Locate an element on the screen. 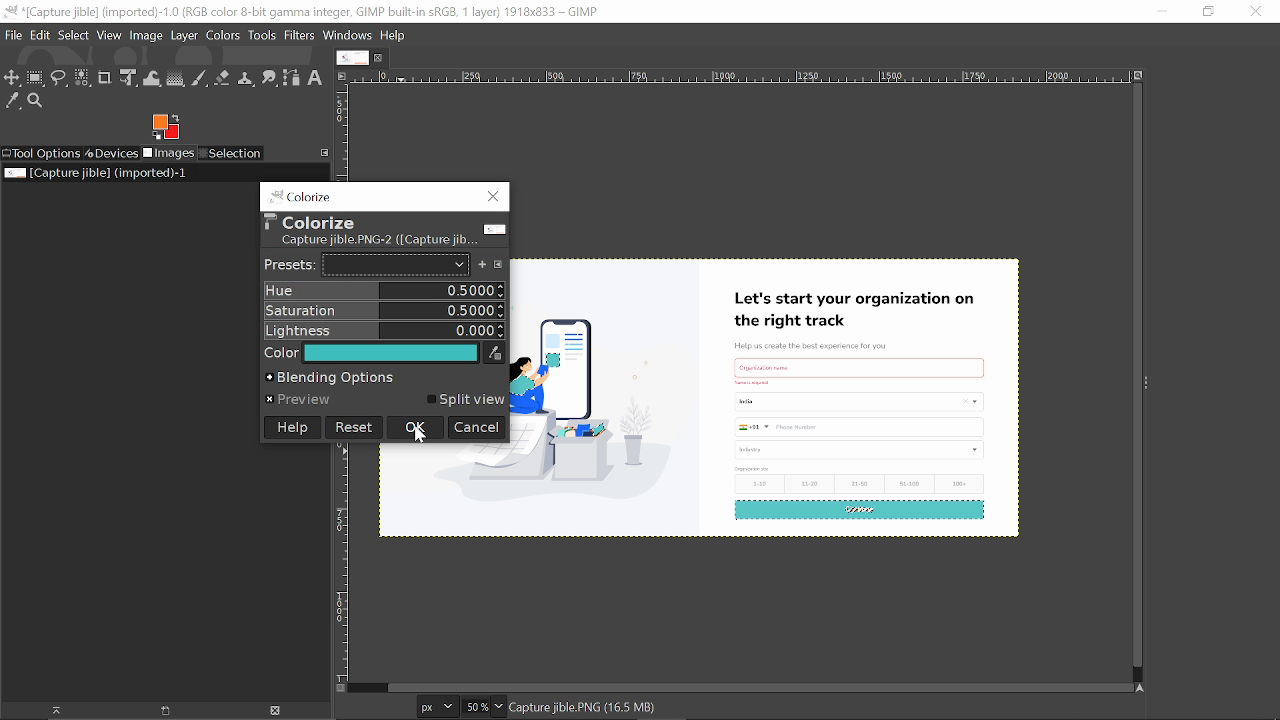  Help is located at coordinates (291, 427).